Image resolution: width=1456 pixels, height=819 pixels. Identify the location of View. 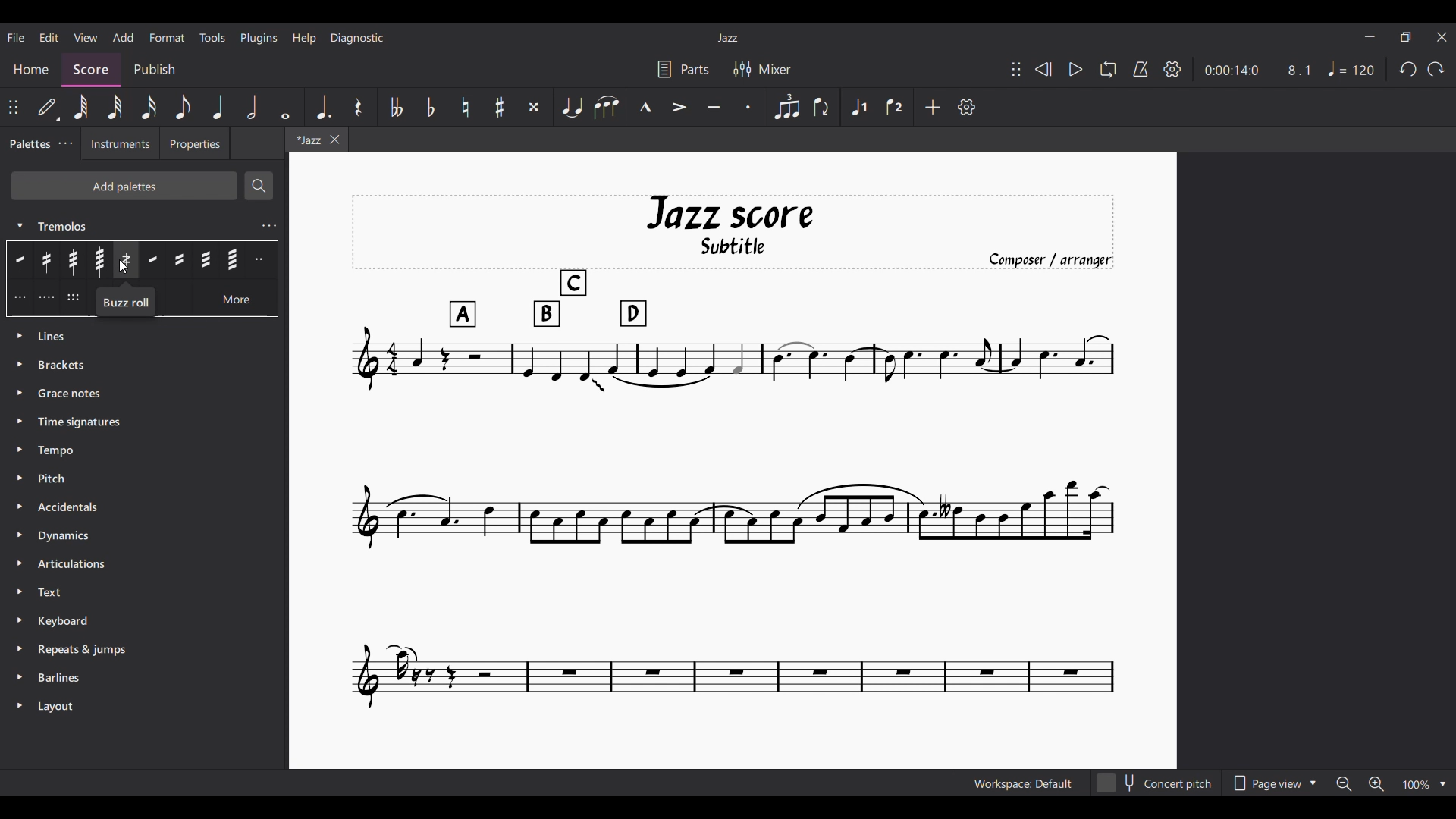
(86, 37).